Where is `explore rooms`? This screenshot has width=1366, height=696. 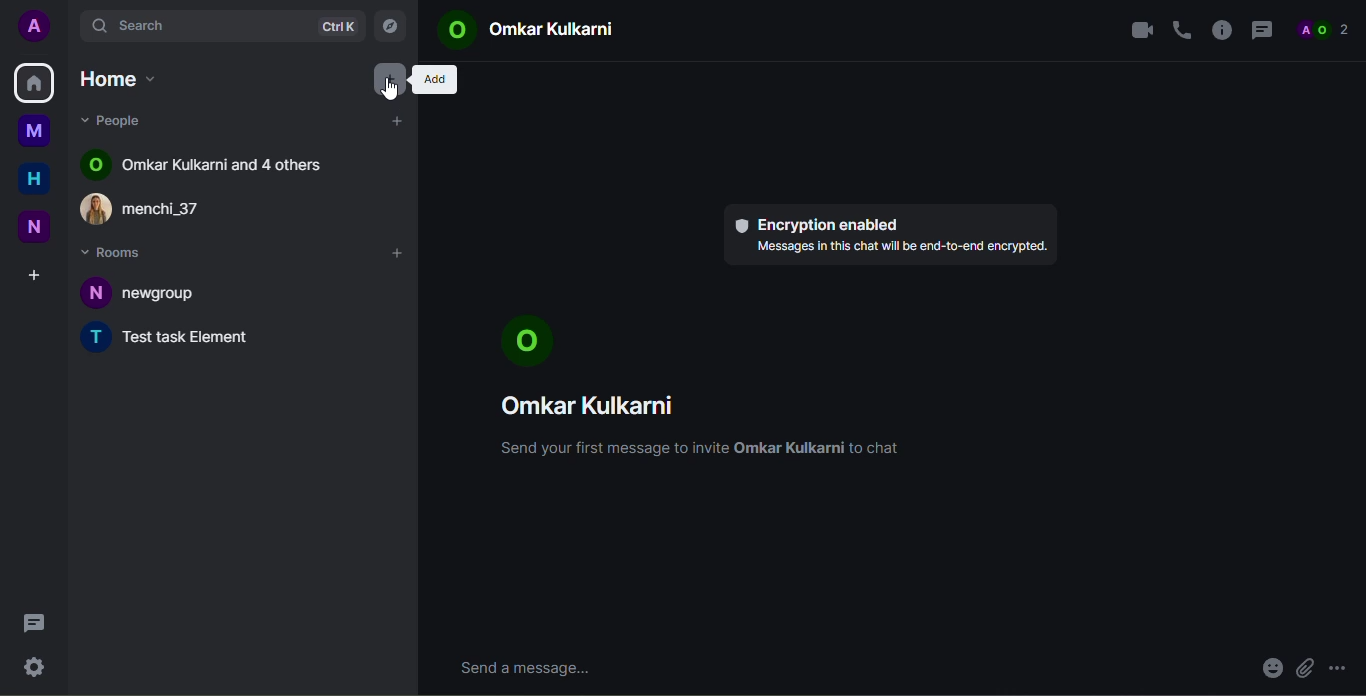 explore rooms is located at coordinates (389, 27).